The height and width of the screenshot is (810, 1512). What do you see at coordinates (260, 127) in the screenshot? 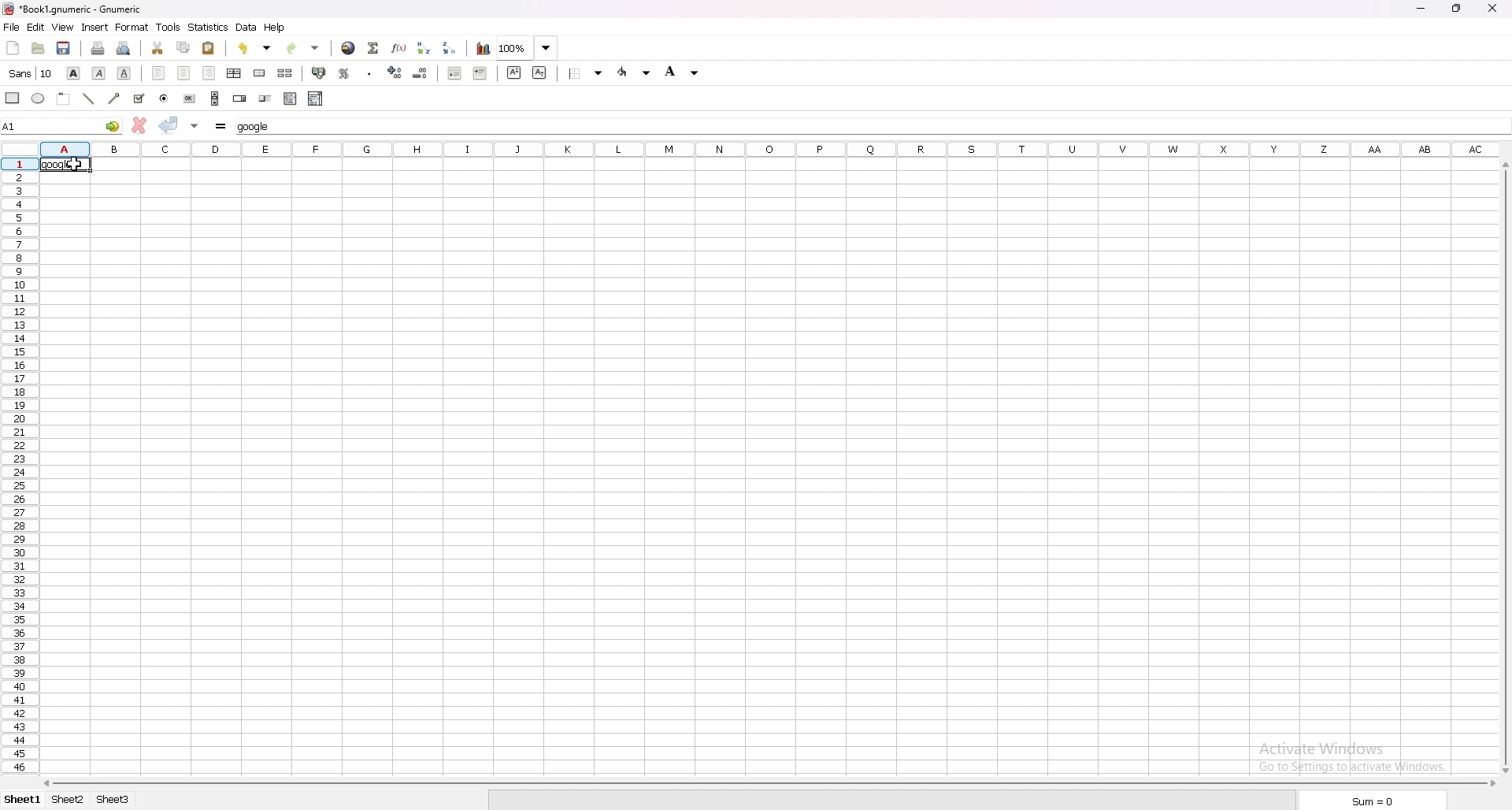
I see `cell input` at bounding box center [260, 127].